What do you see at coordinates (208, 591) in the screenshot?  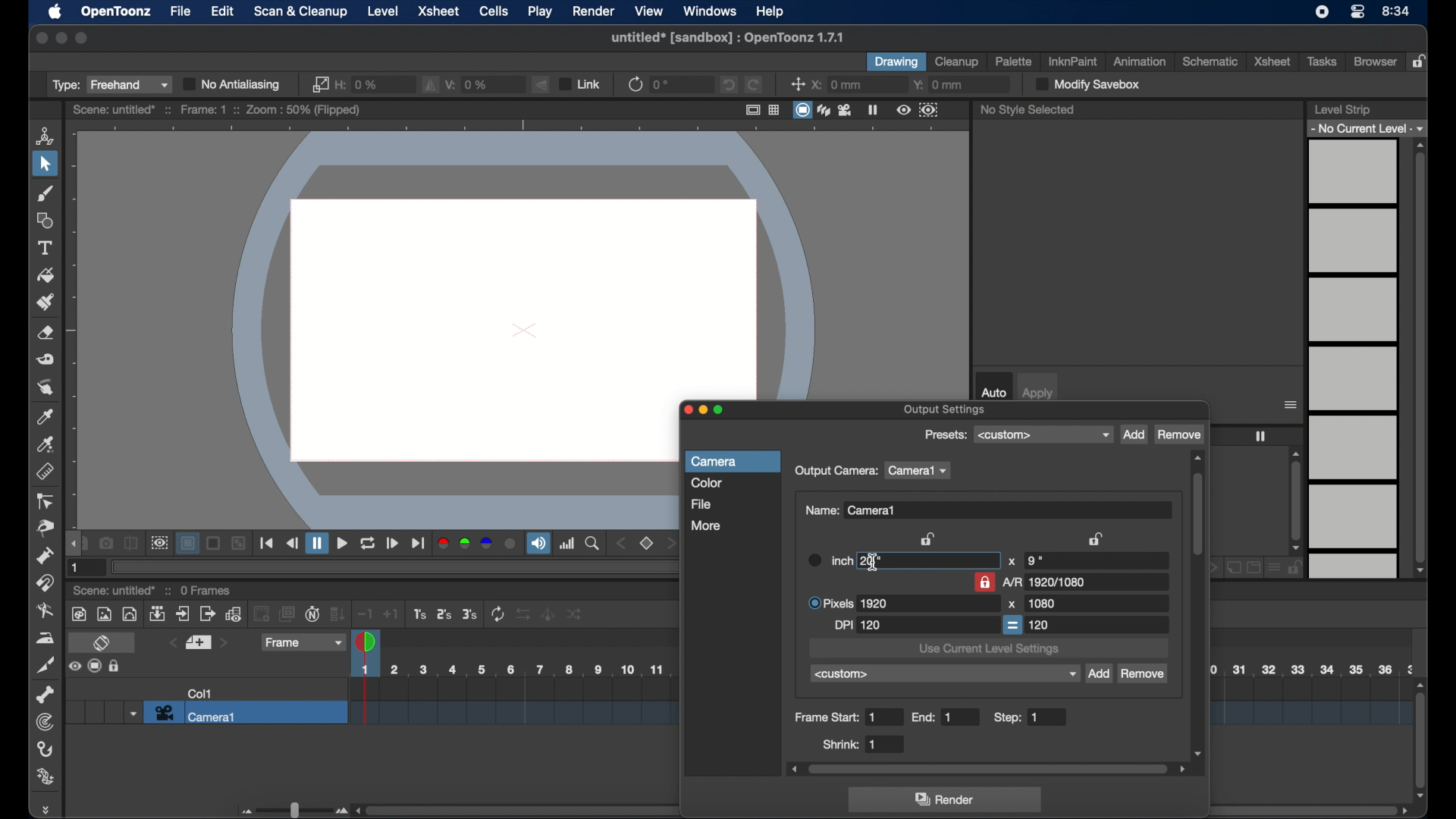 I see `` at bounding box center [208, 591].